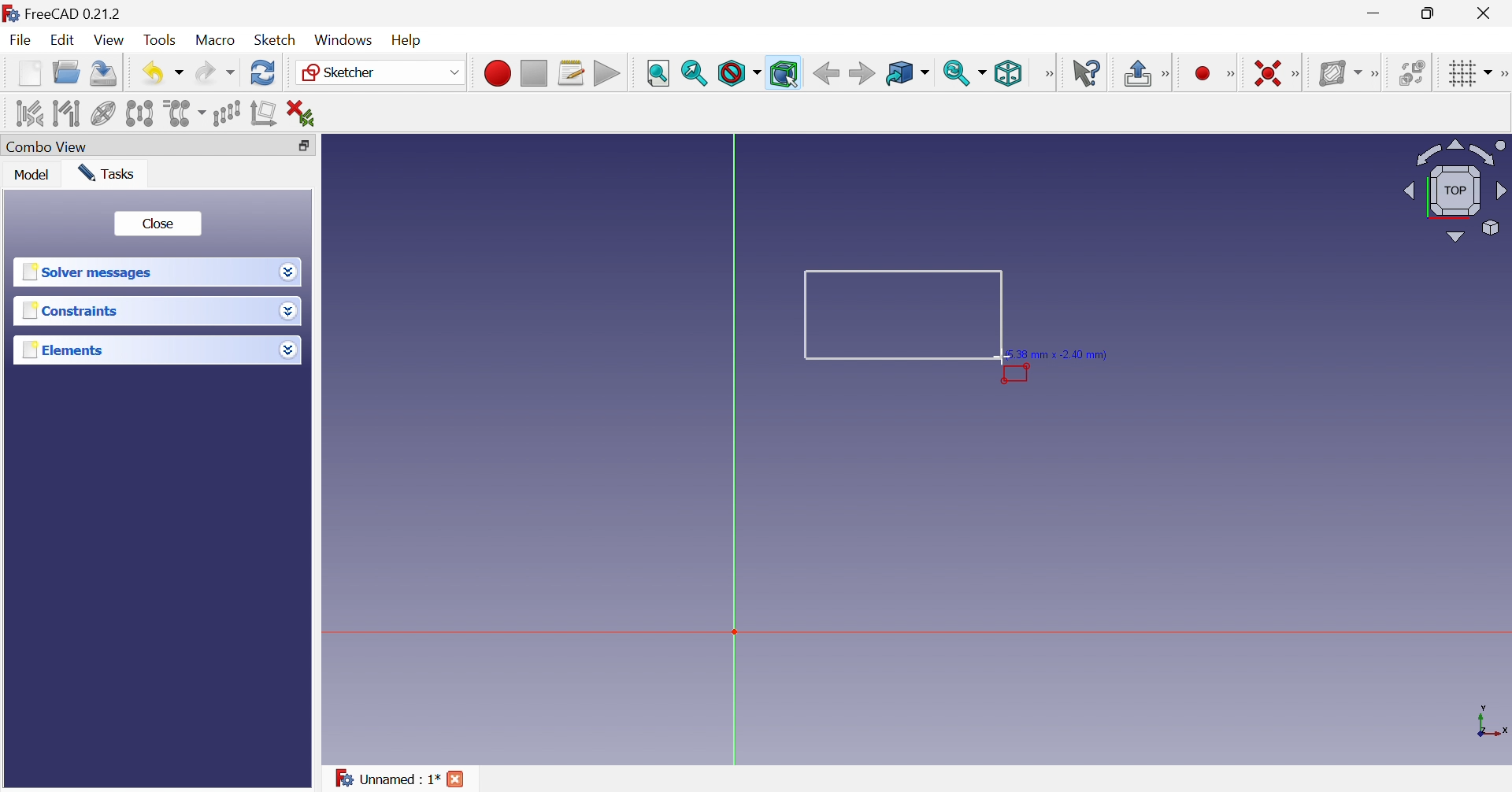 The height and width of the screenshot is (792, 1512). What do you see at coordinates (784, 74) in the screenshot?
I see `Bounding box` at bounding box center [784, 74].